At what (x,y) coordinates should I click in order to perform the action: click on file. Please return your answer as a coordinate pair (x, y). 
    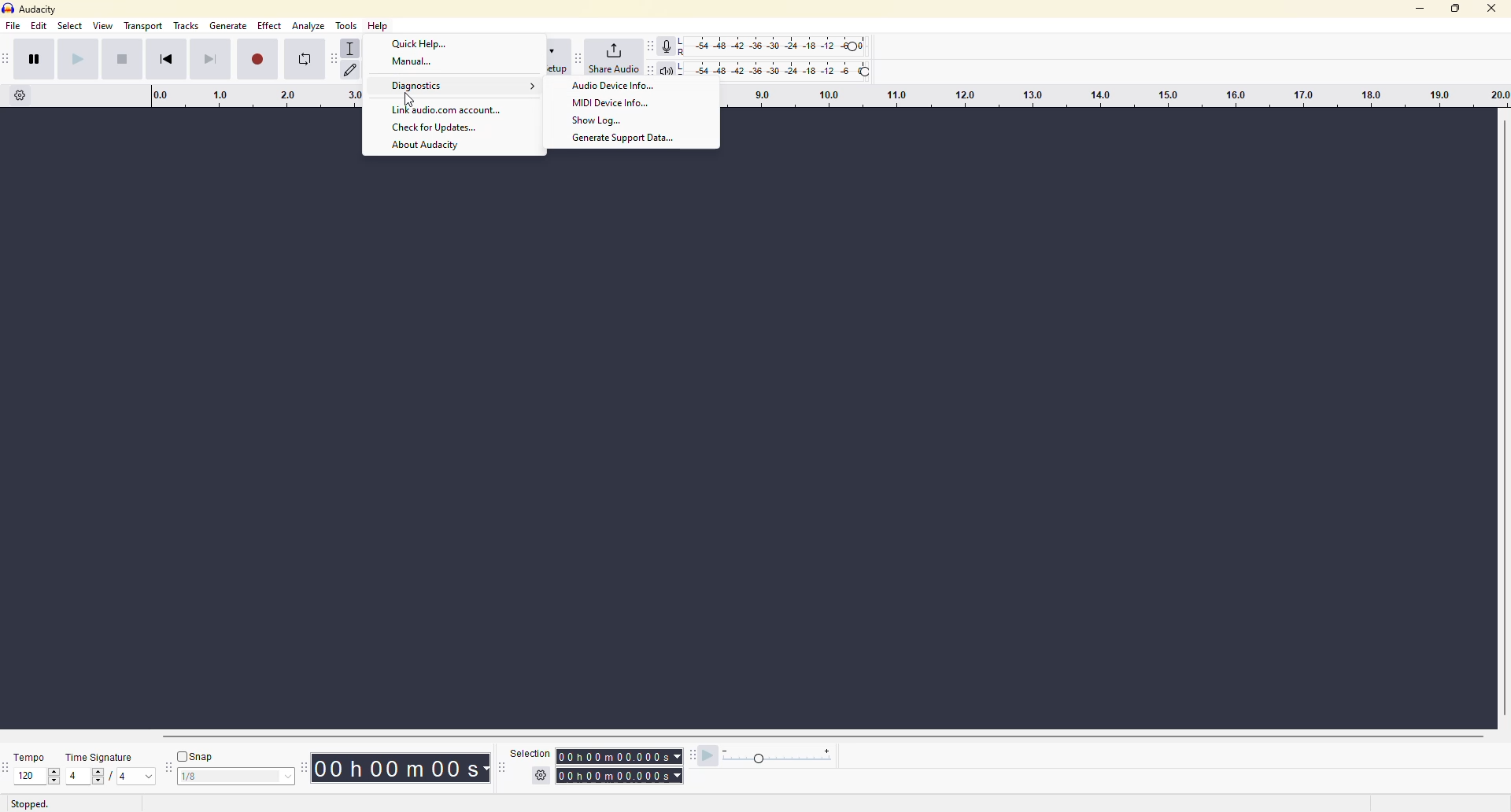
    Looking at the image, I should click on (16, 26).